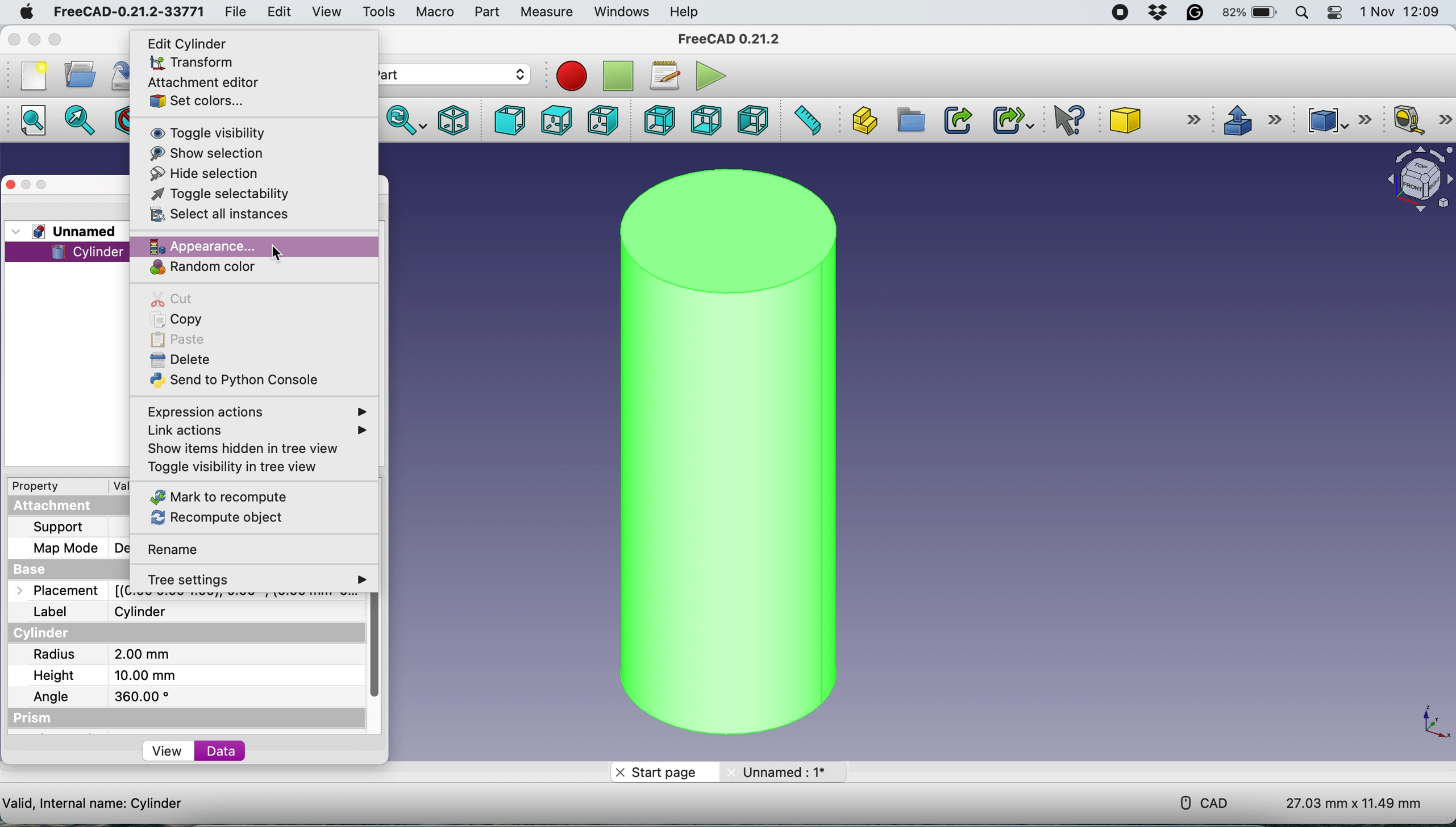 This screenshot has width=1456, height=827. Describe the element at coordinates (366, 578) in the screenshot. I see `more options` at that location.